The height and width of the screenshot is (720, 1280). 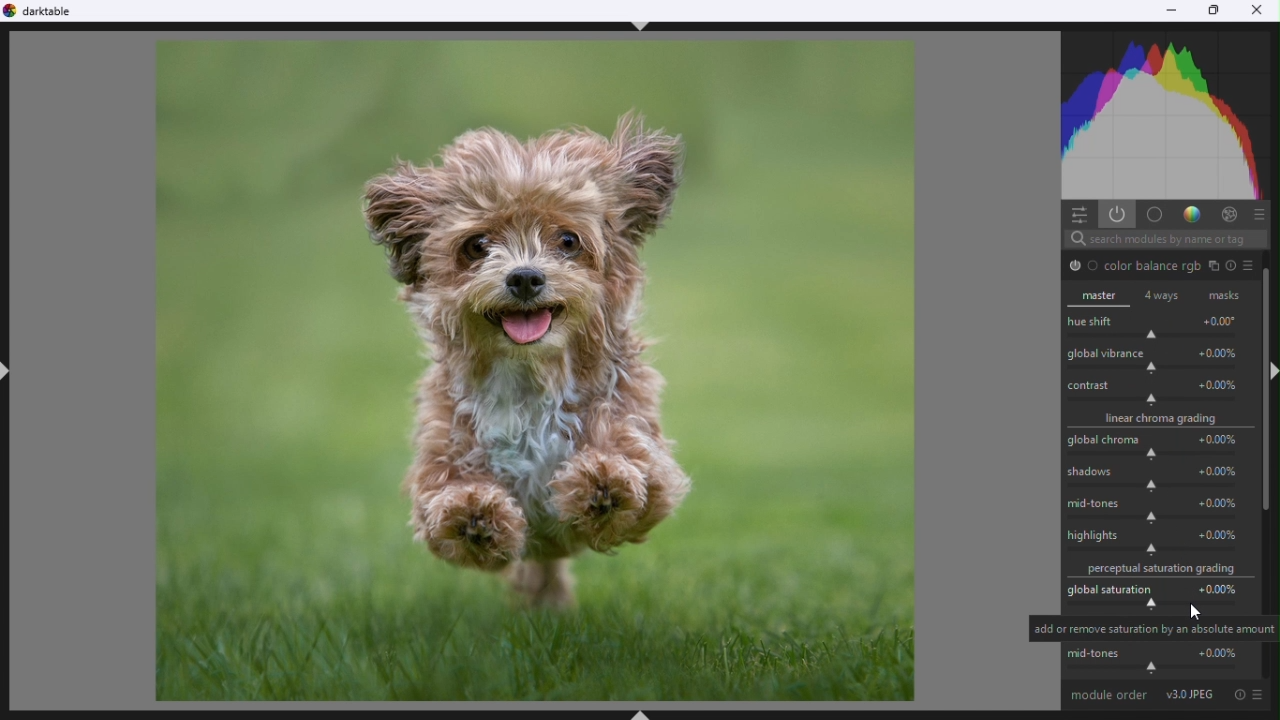 What do you see at coordinates (1172, 10) in the screenshot?
I see `Minimise` at bounding box center [1172, 10].